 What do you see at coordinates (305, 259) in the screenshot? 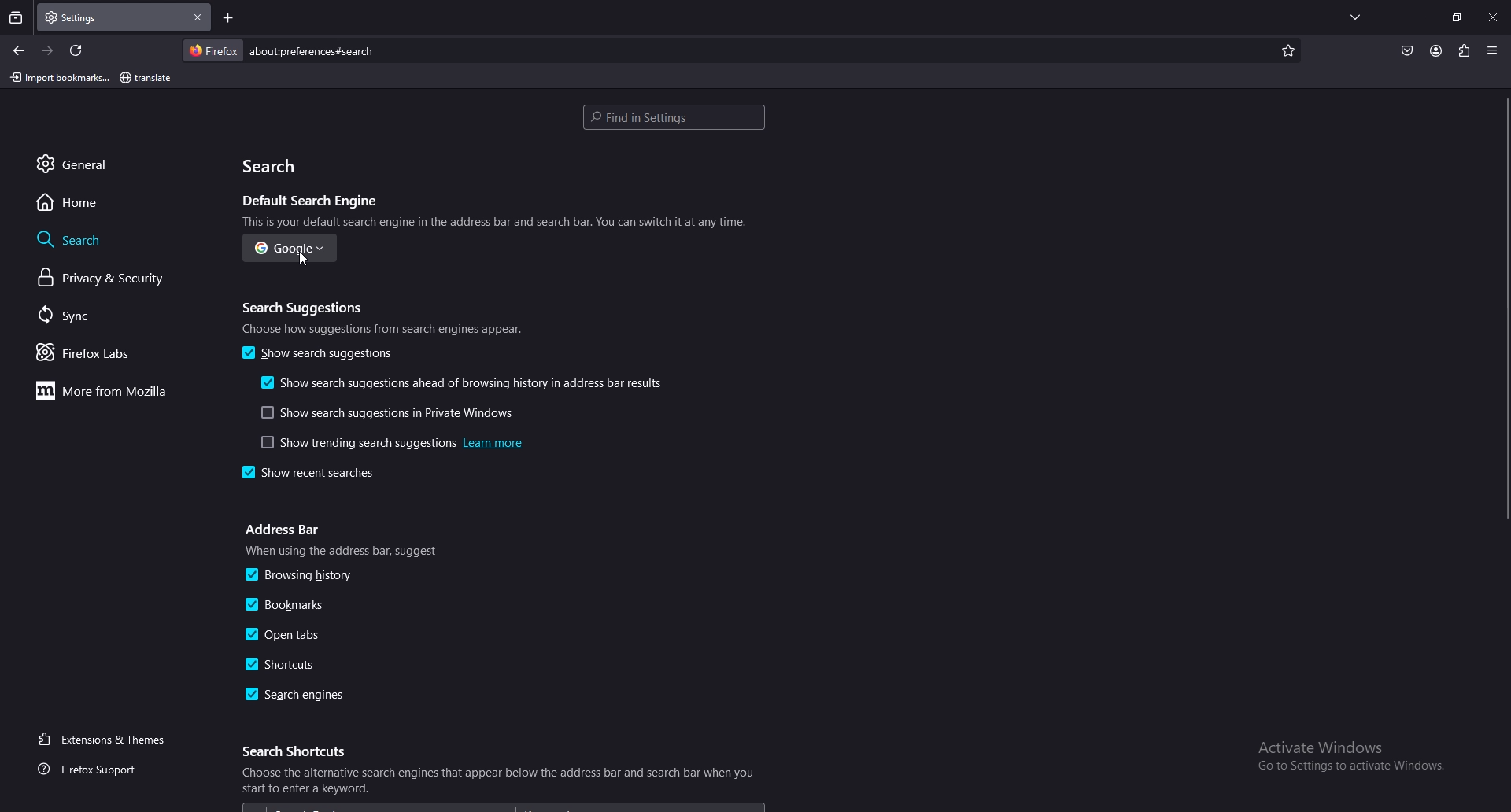
I see `cursor` at bounding box center [305, 259].